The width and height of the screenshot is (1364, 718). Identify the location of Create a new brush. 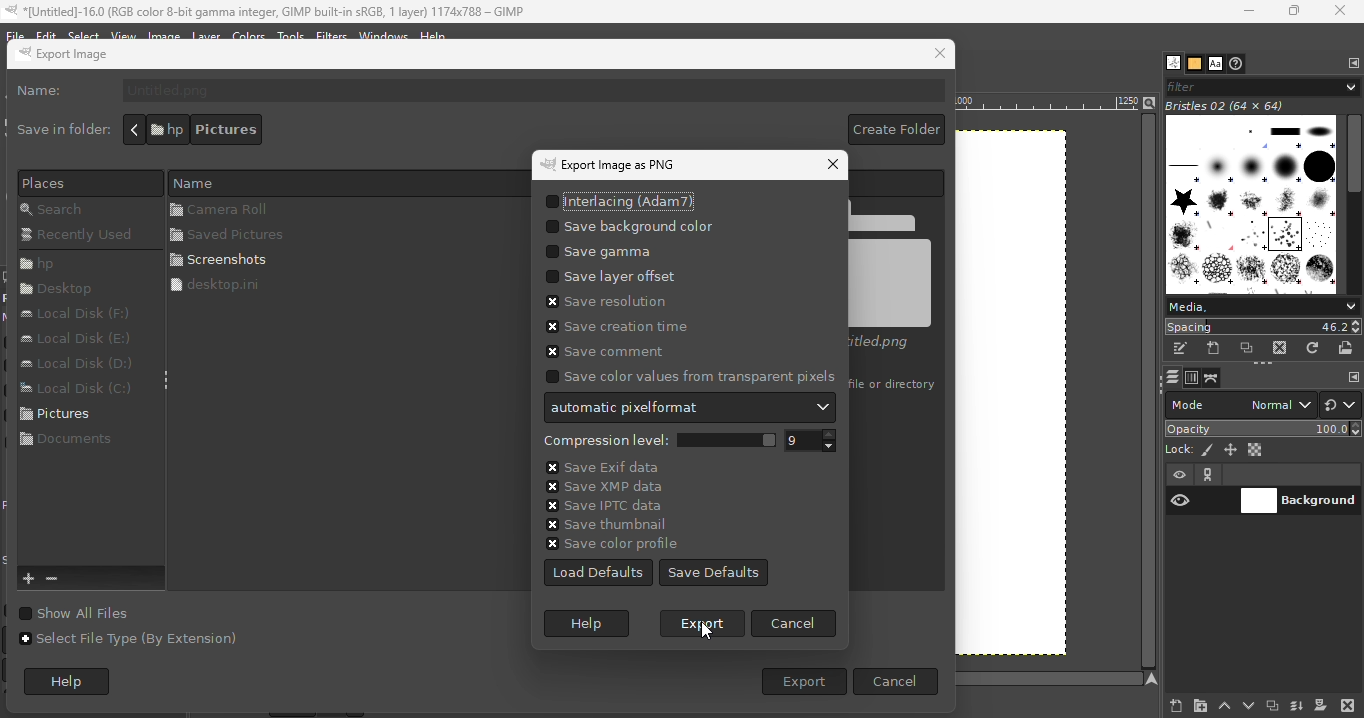
(1214, 348).